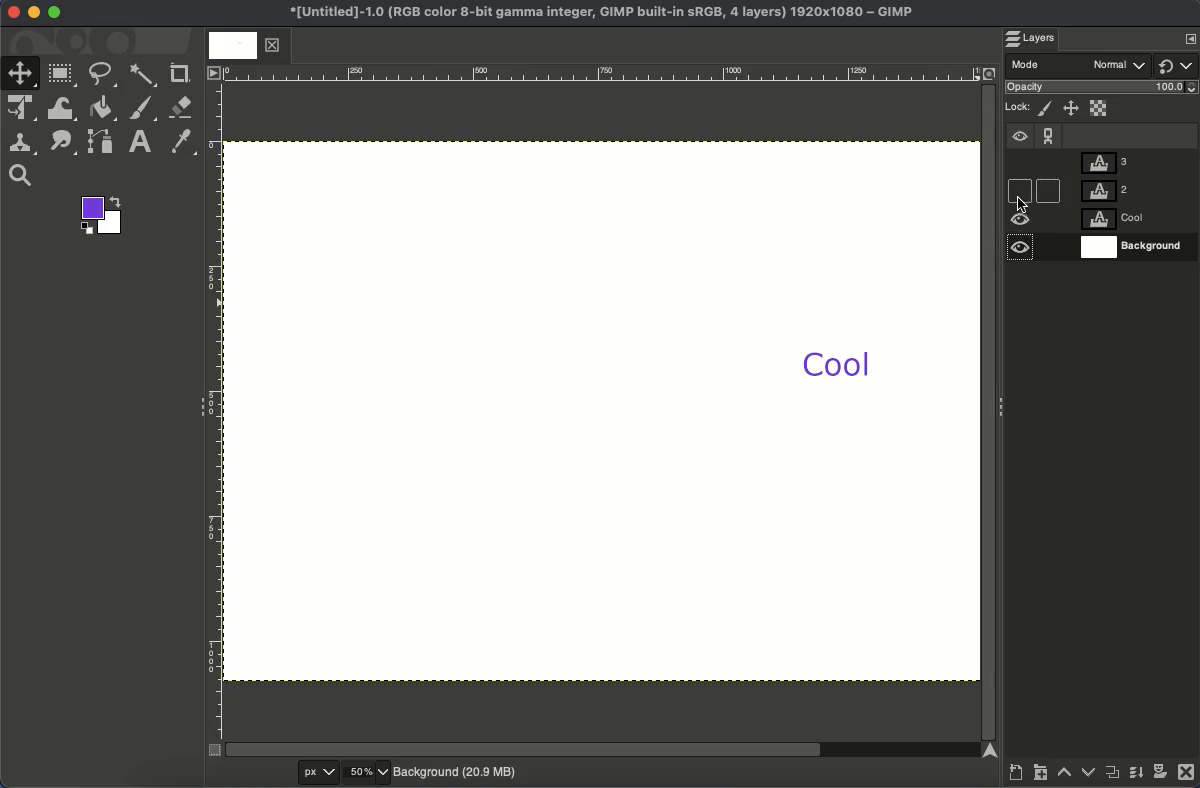  I want to click on Color picker, so click(184, 143).